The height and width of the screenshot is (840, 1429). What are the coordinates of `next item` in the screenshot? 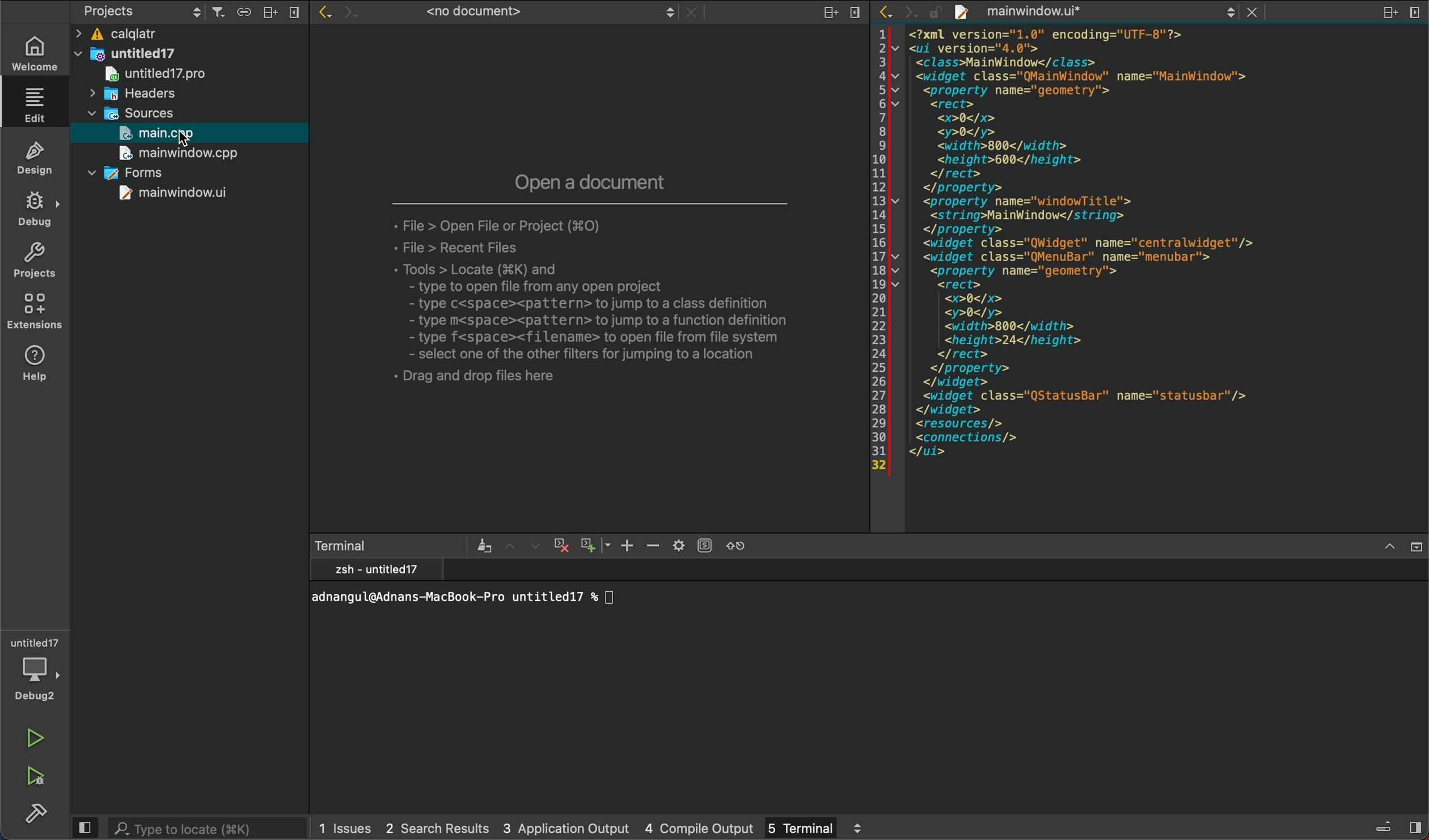 It's located at (534, 545).